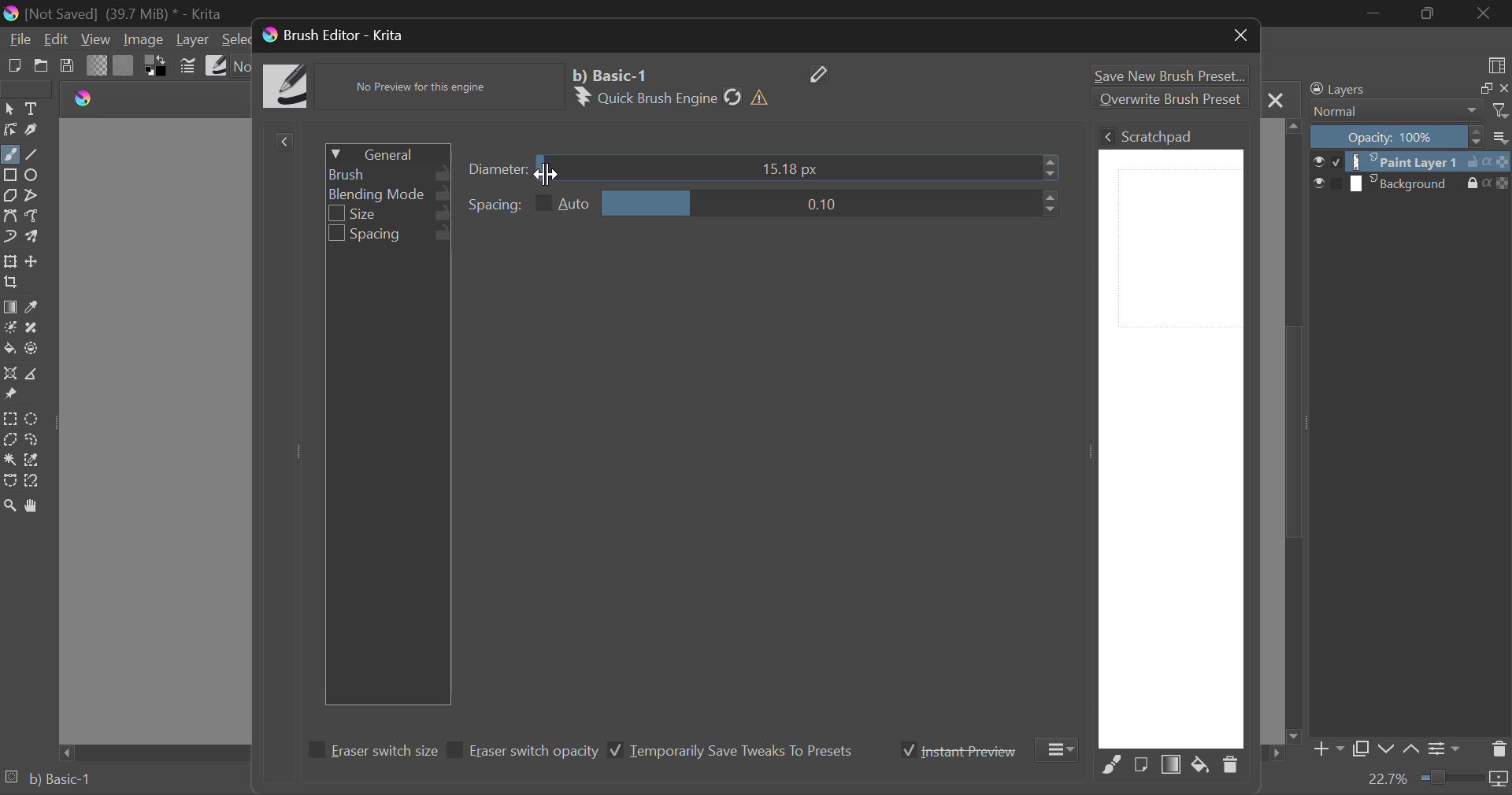 This screenshot has height=795, width=1512. What do you see at coordinates (35, 238) in the screenshot?
I see `Multibrush Tool` at bounding box center [35, 238].